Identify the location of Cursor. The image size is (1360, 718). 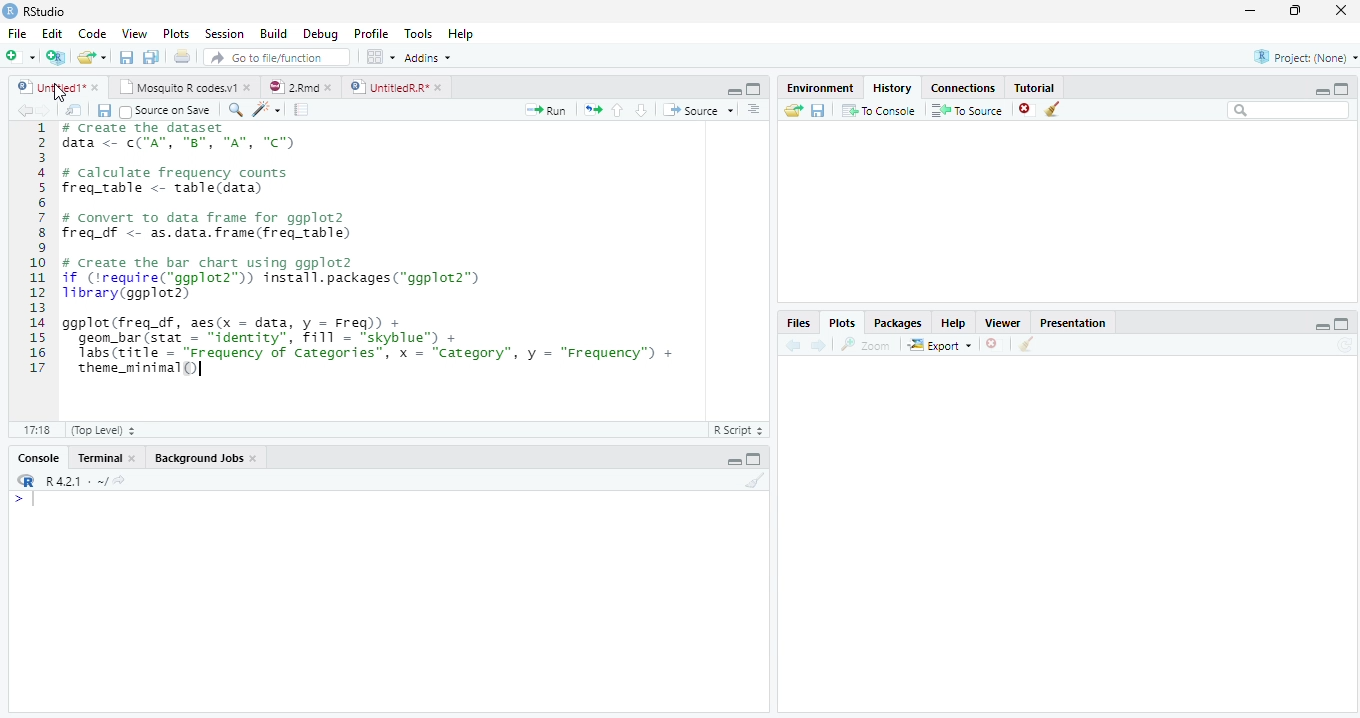
(37, 501).